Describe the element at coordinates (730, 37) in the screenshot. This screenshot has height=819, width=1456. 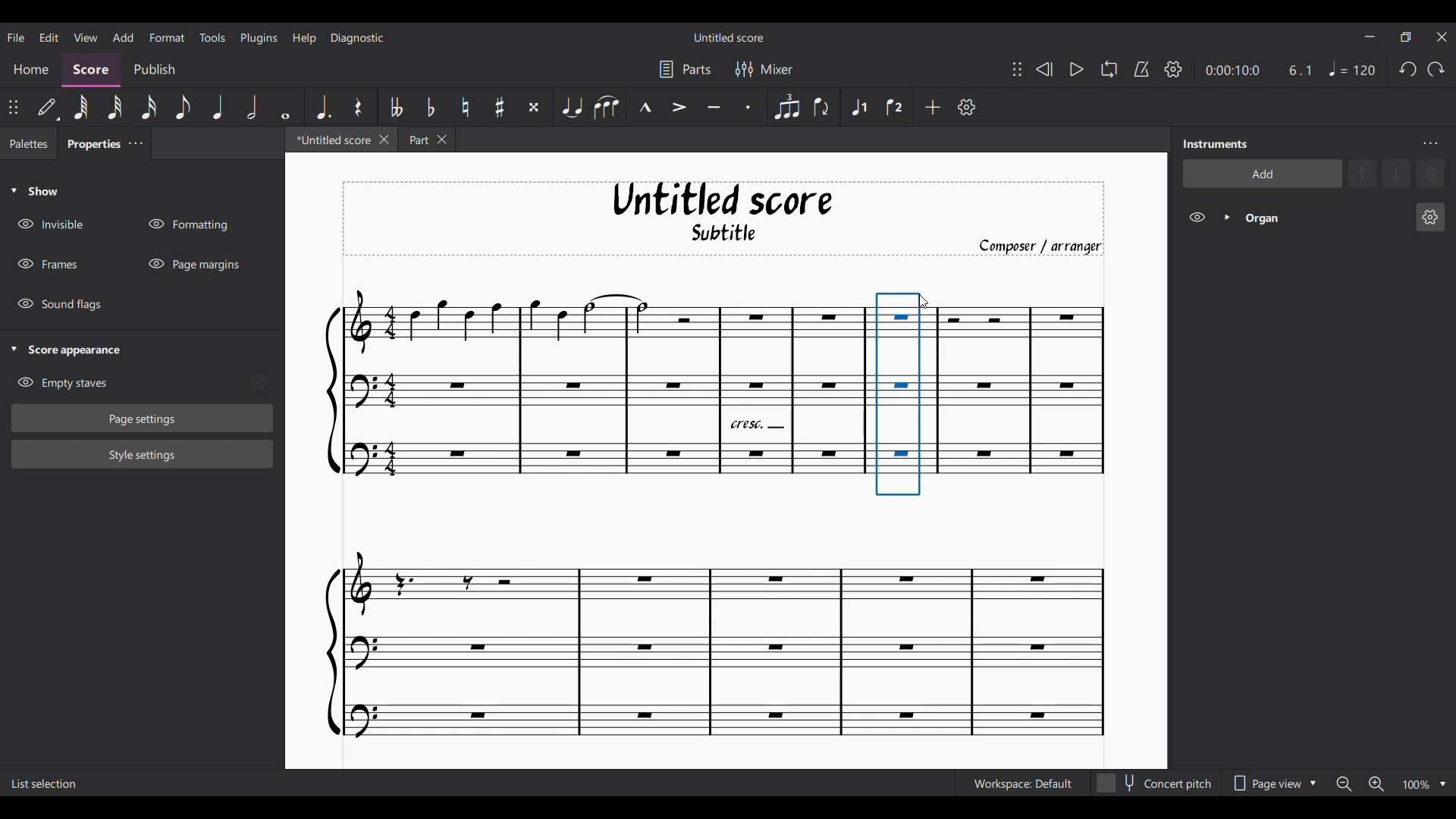
I see `Score name` at that location.